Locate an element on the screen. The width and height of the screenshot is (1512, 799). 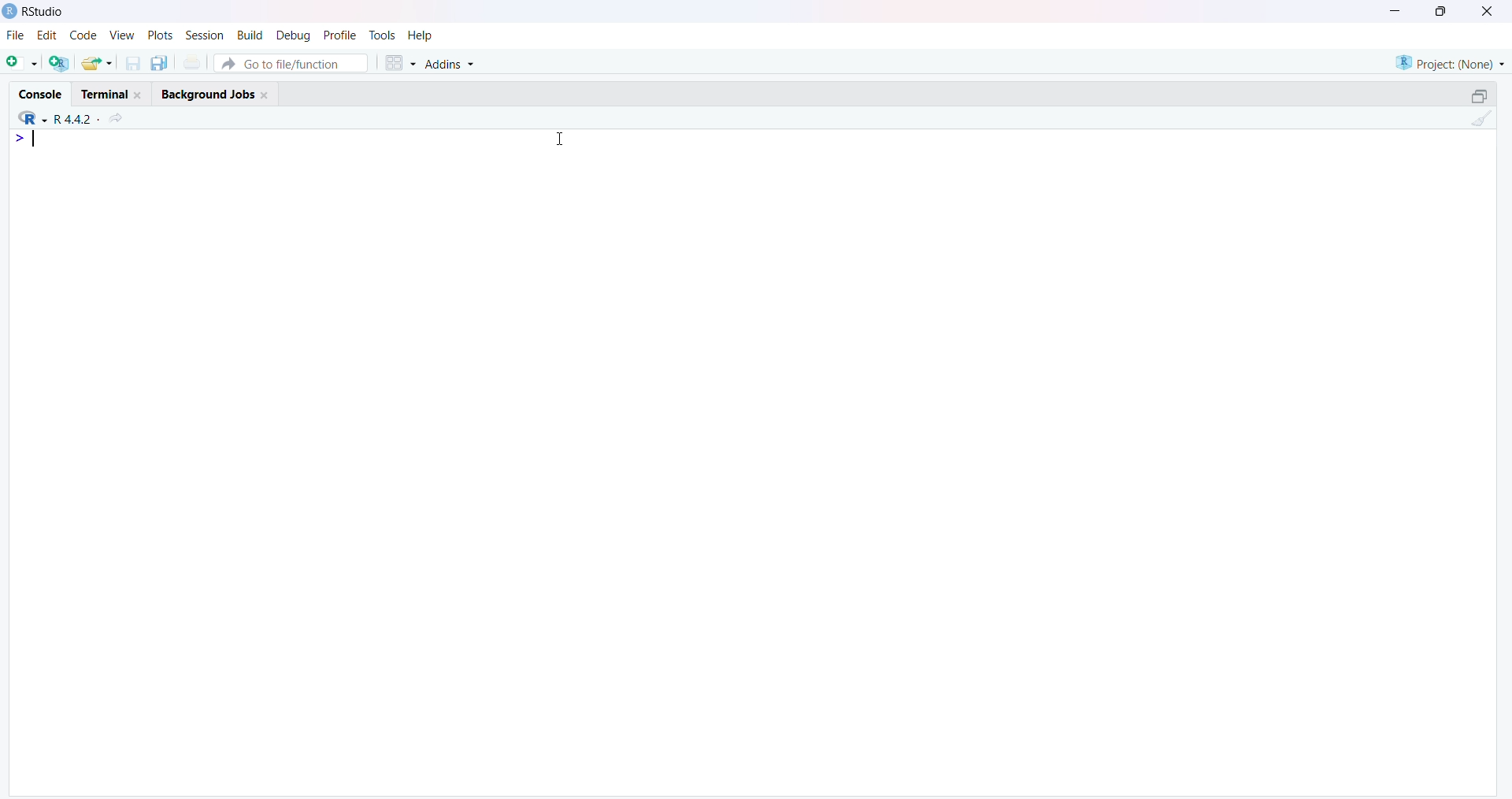
Maximize/Restore is located at coordinates (1479, 95).